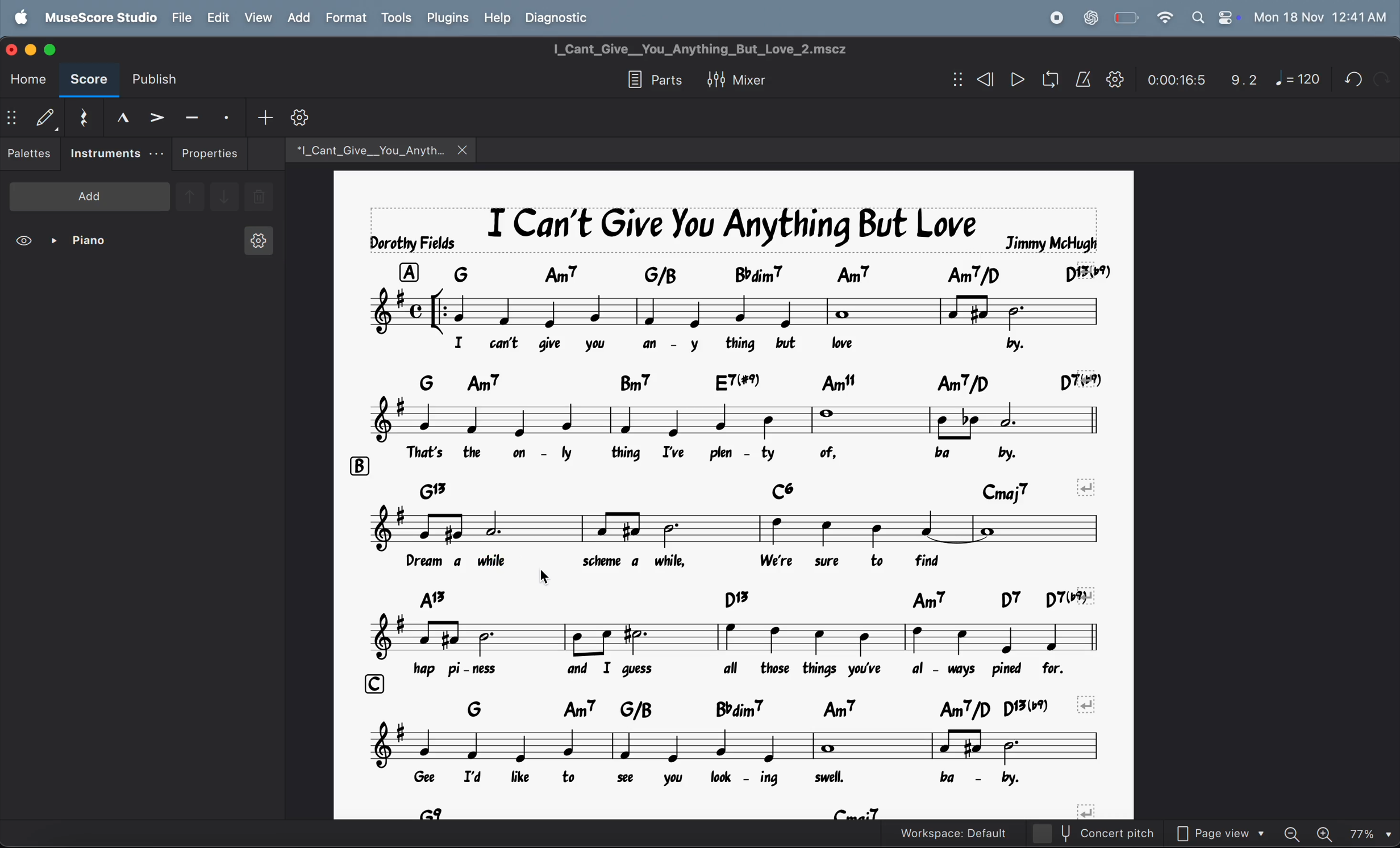 Image resolution: width=1400 pixels, height=848 pixels. What do you see at coordinates (734, 79) in the screenshot?
I see `mixer ` at bounding box center [734, 79].